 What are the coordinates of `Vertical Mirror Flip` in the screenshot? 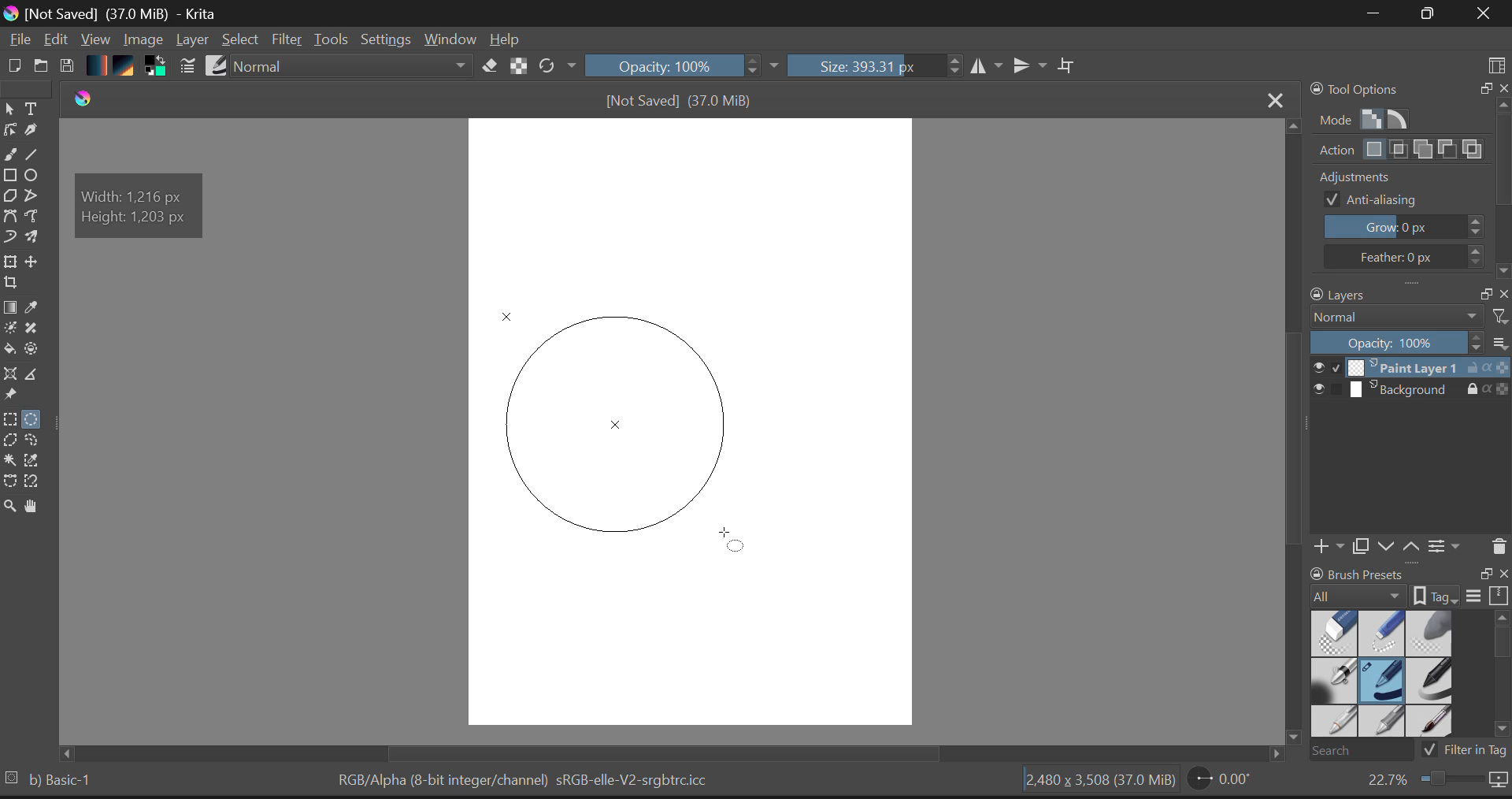 It's located at (988, 67).